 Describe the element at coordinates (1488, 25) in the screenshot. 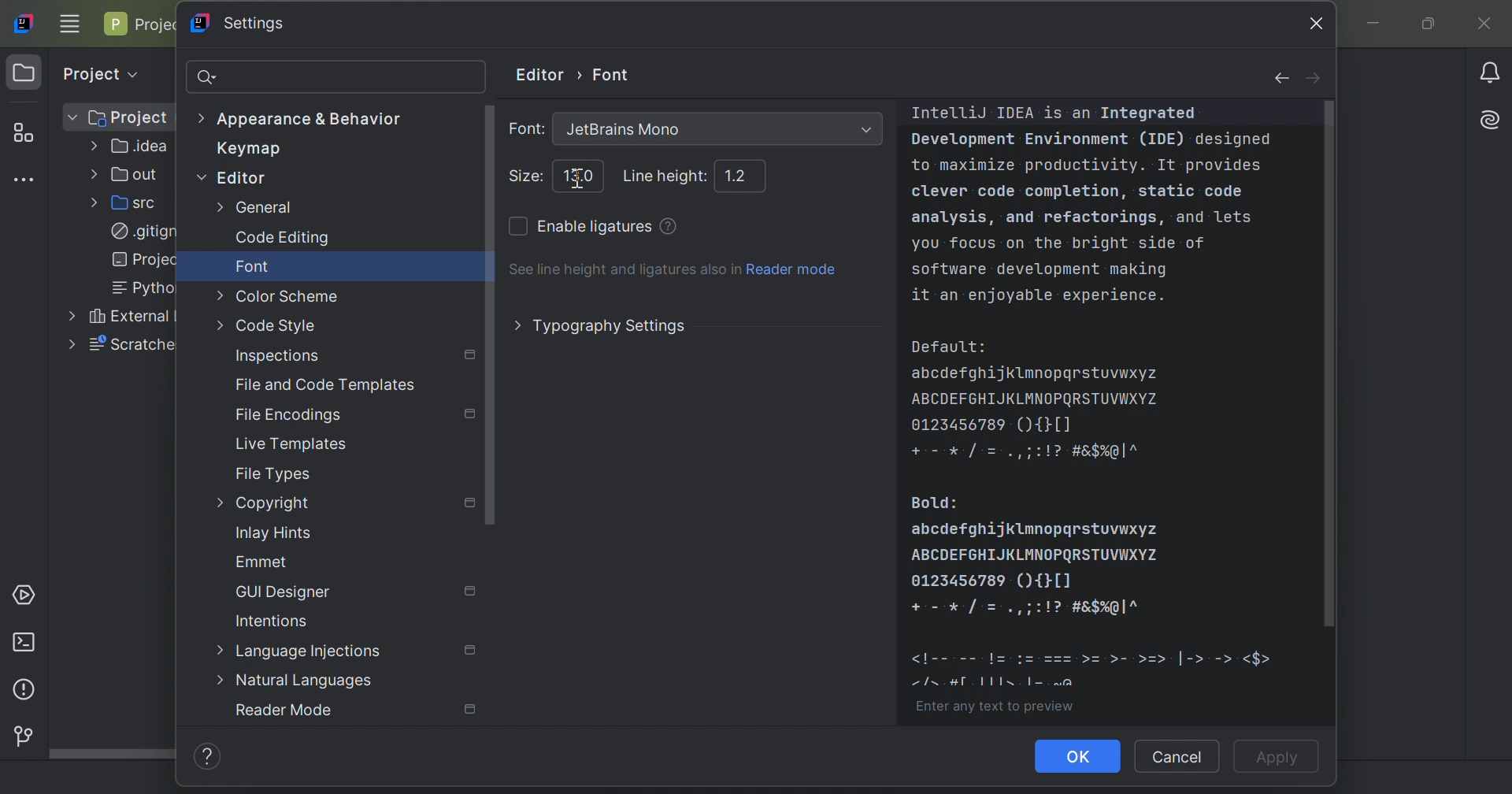

I see `Close` at that location.